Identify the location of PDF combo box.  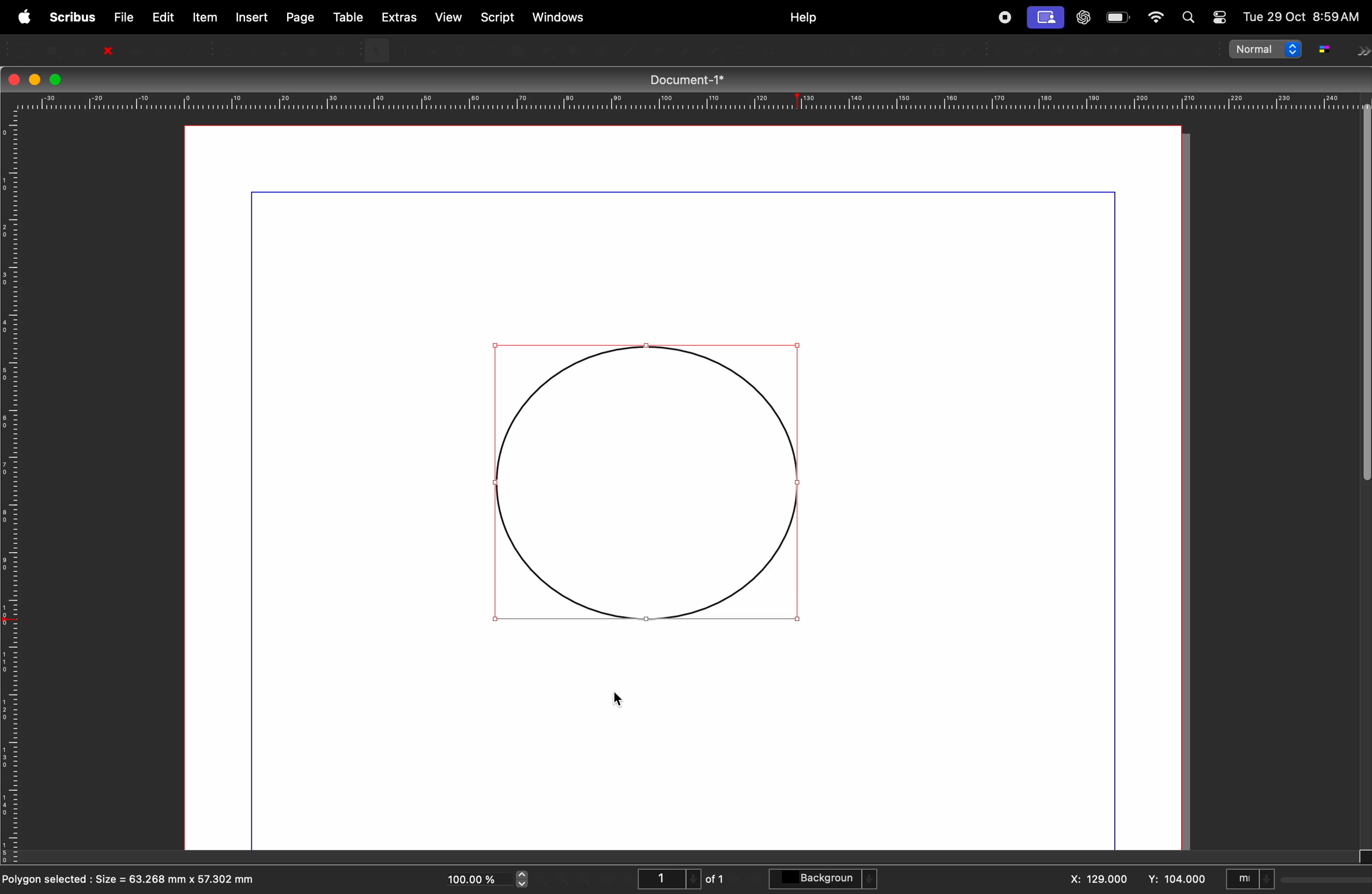
(1117, 50).